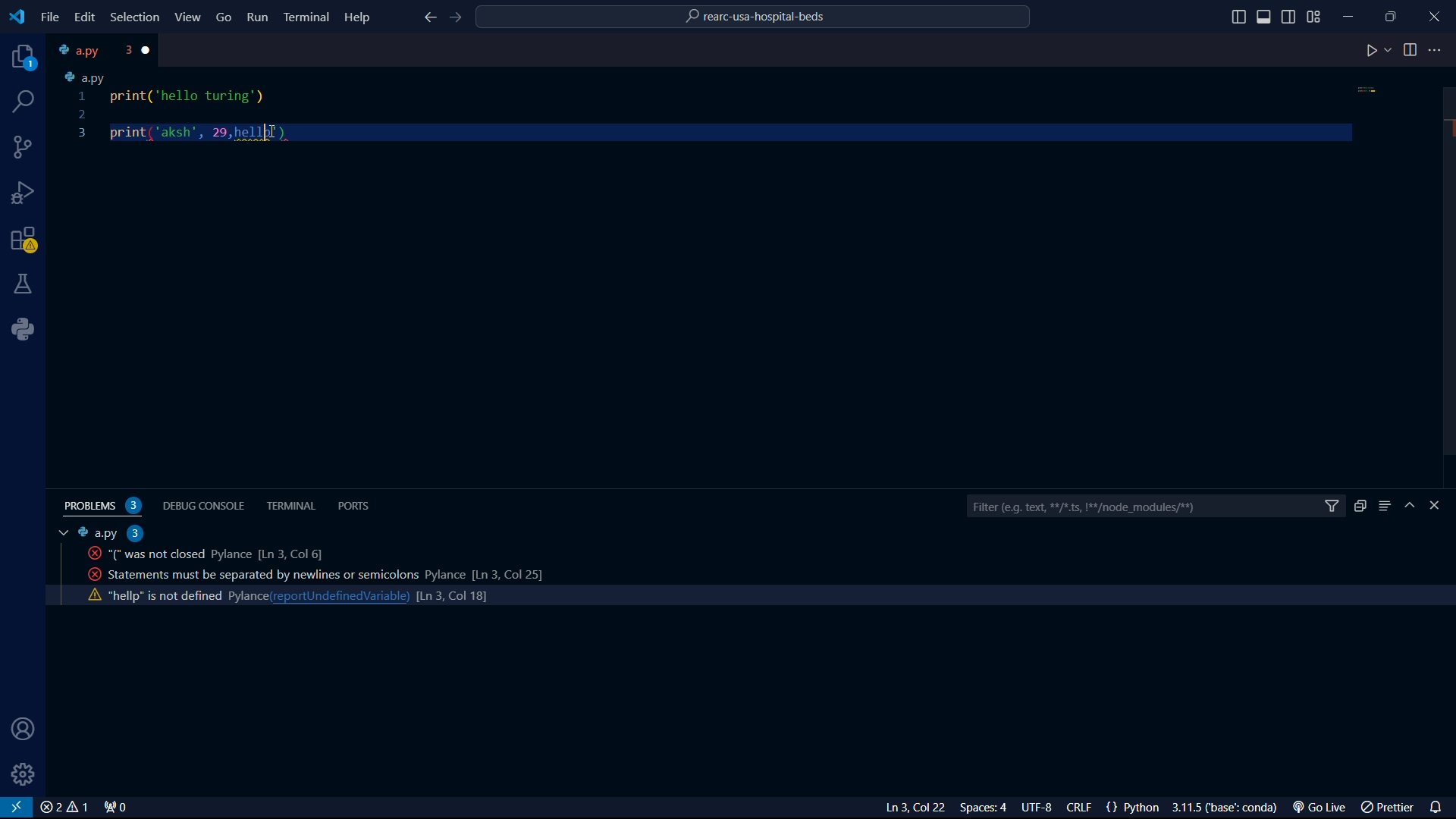  Describe the element at coordinates (24, 283) in the screenshot. I see `labs` at that location.